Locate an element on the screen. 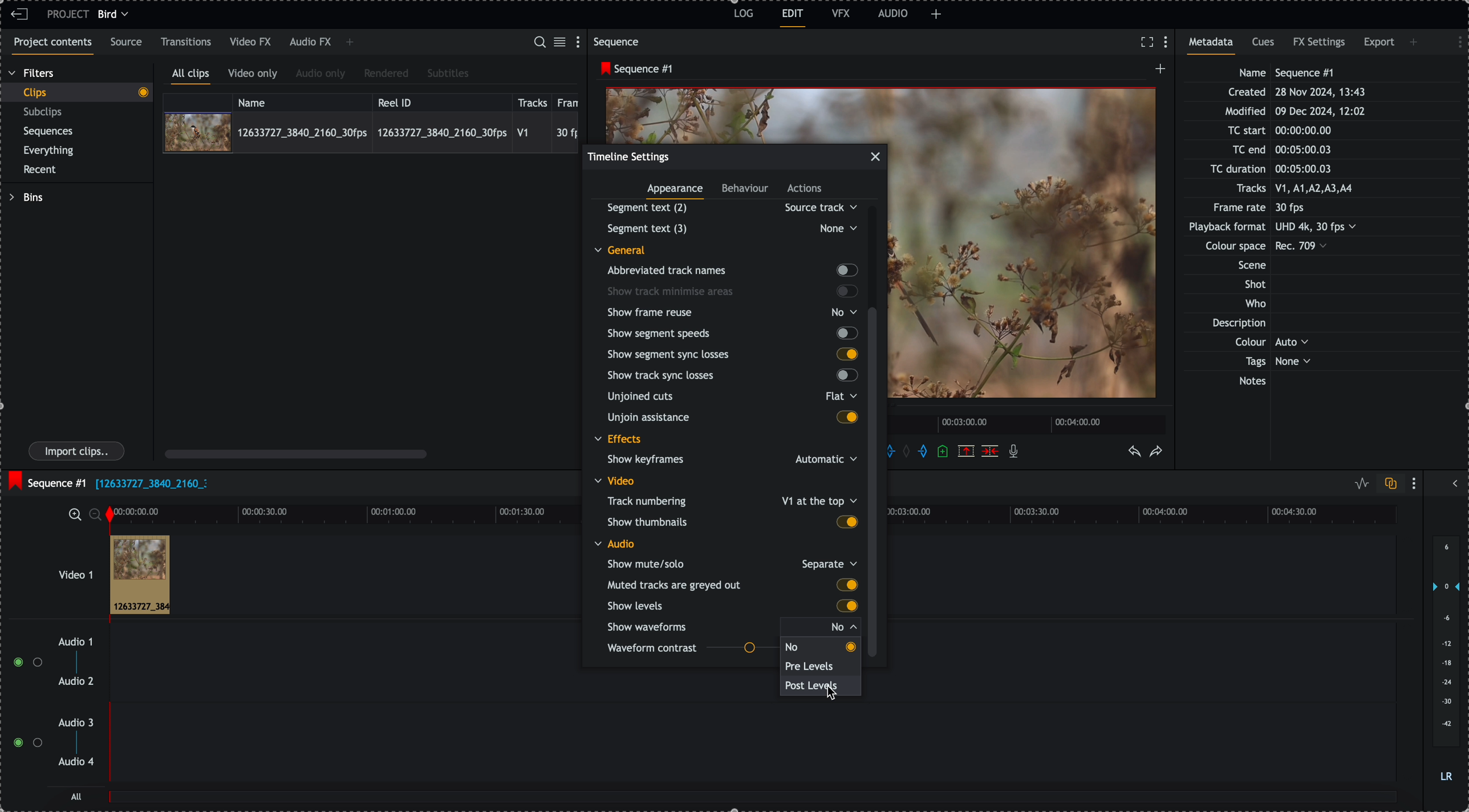 The width and height of the screenshot is (1469, 812). fullscreen is located at coordinates (1147, 42).